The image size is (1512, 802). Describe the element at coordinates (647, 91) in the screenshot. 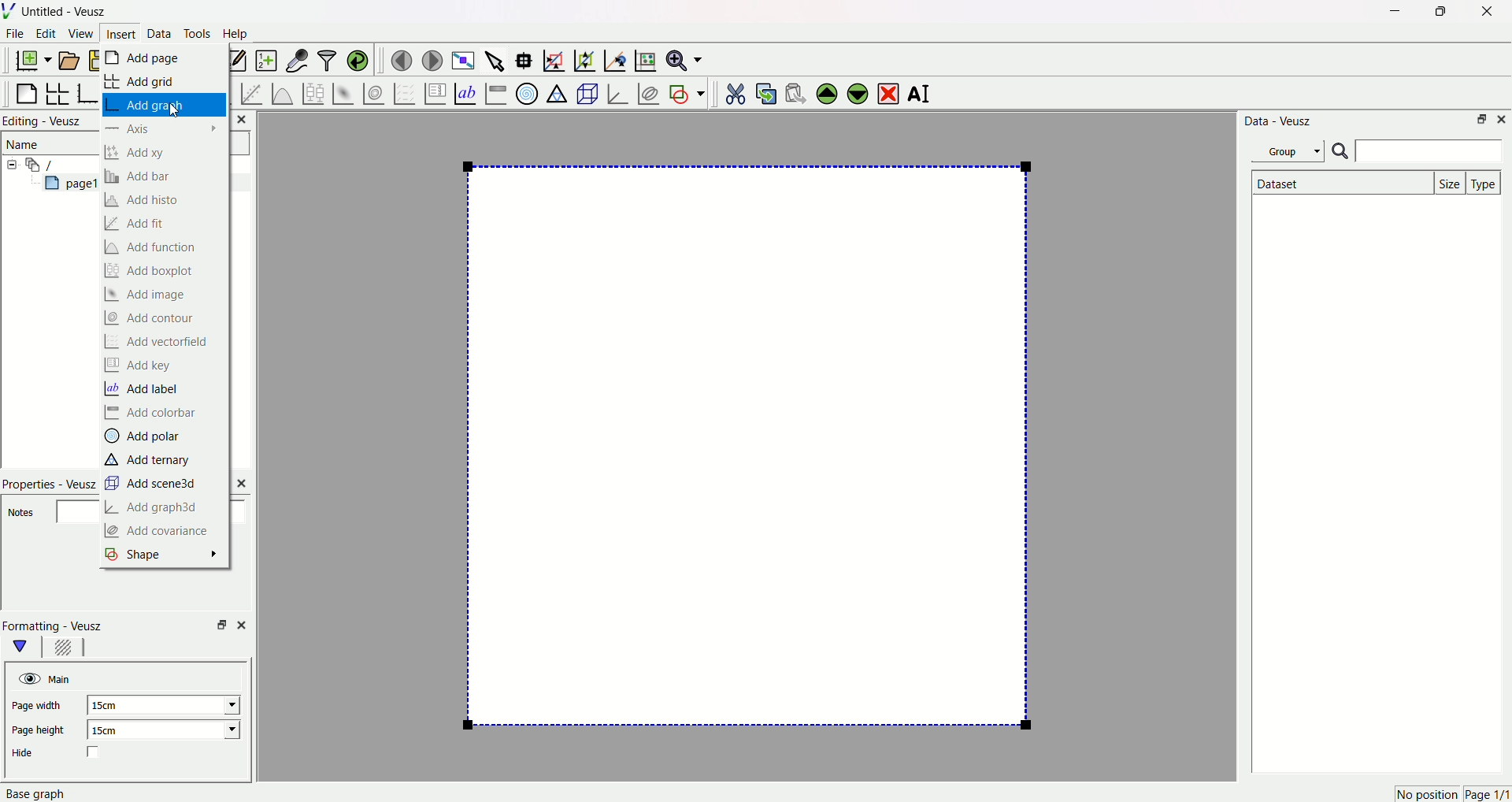

I see `plot covariance ellipses` at that location.